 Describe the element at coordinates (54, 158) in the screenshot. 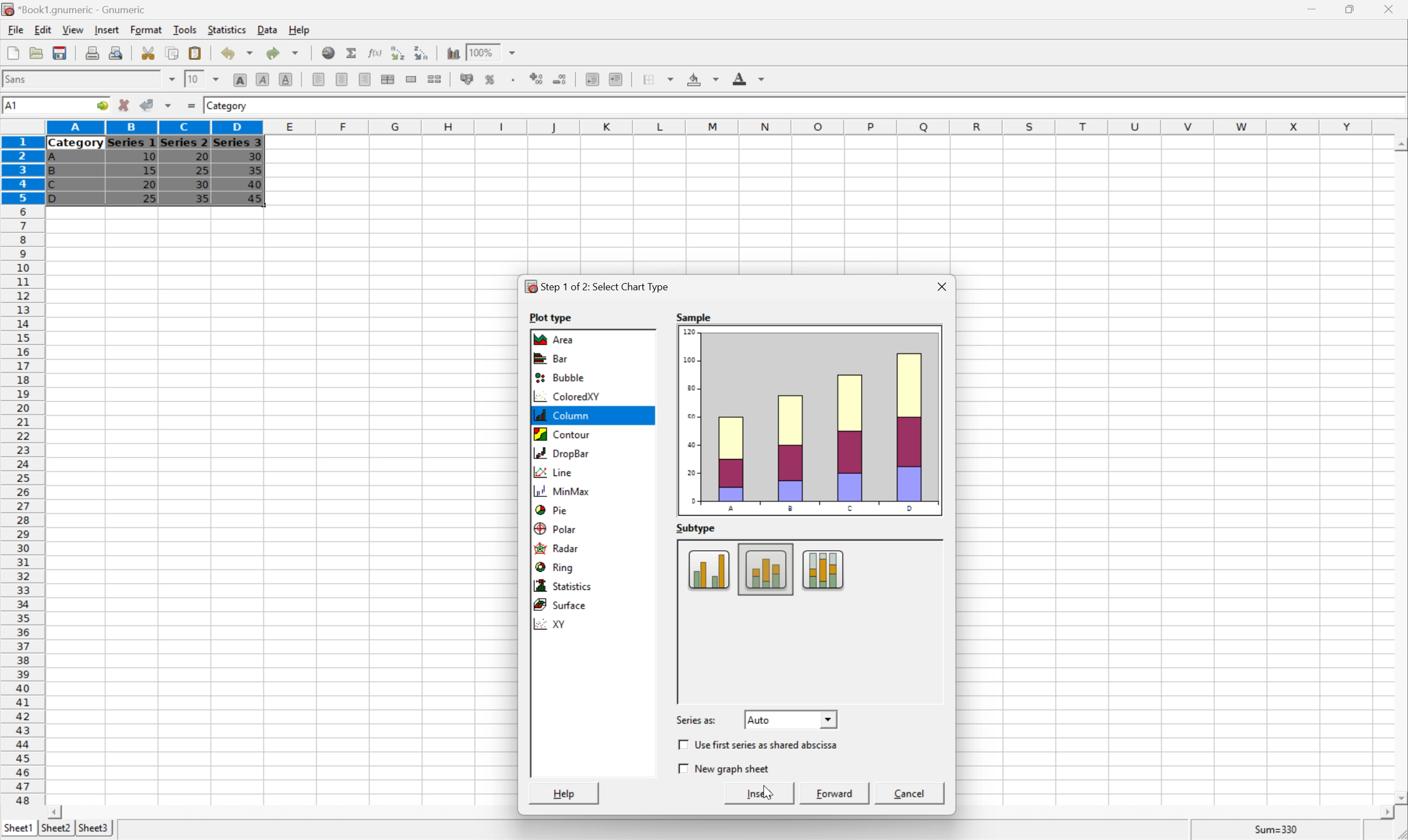

I see `A` at that location.